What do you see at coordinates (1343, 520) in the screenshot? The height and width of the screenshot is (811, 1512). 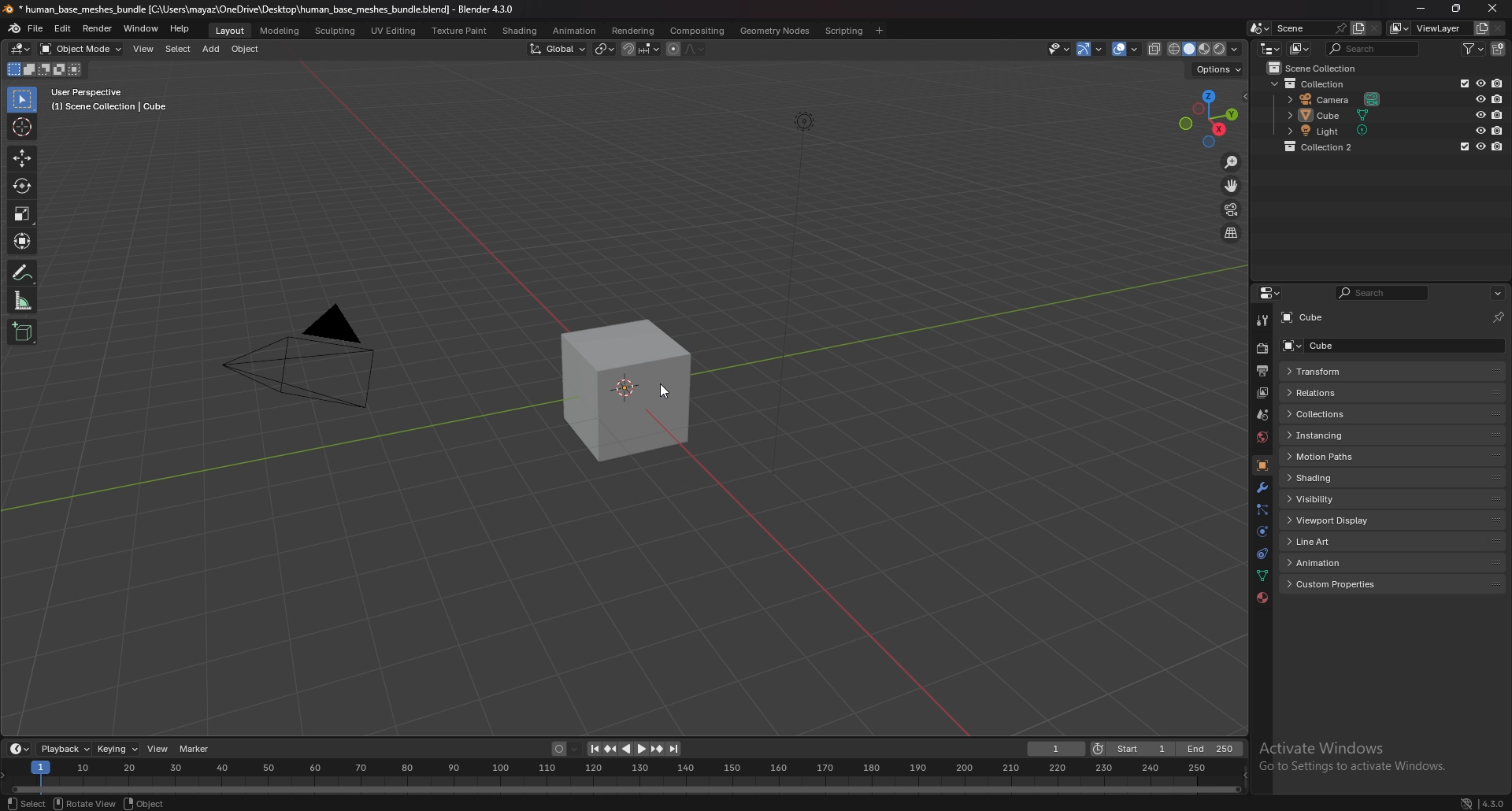 I see `viewport display` at bounding box center [1343, 520].